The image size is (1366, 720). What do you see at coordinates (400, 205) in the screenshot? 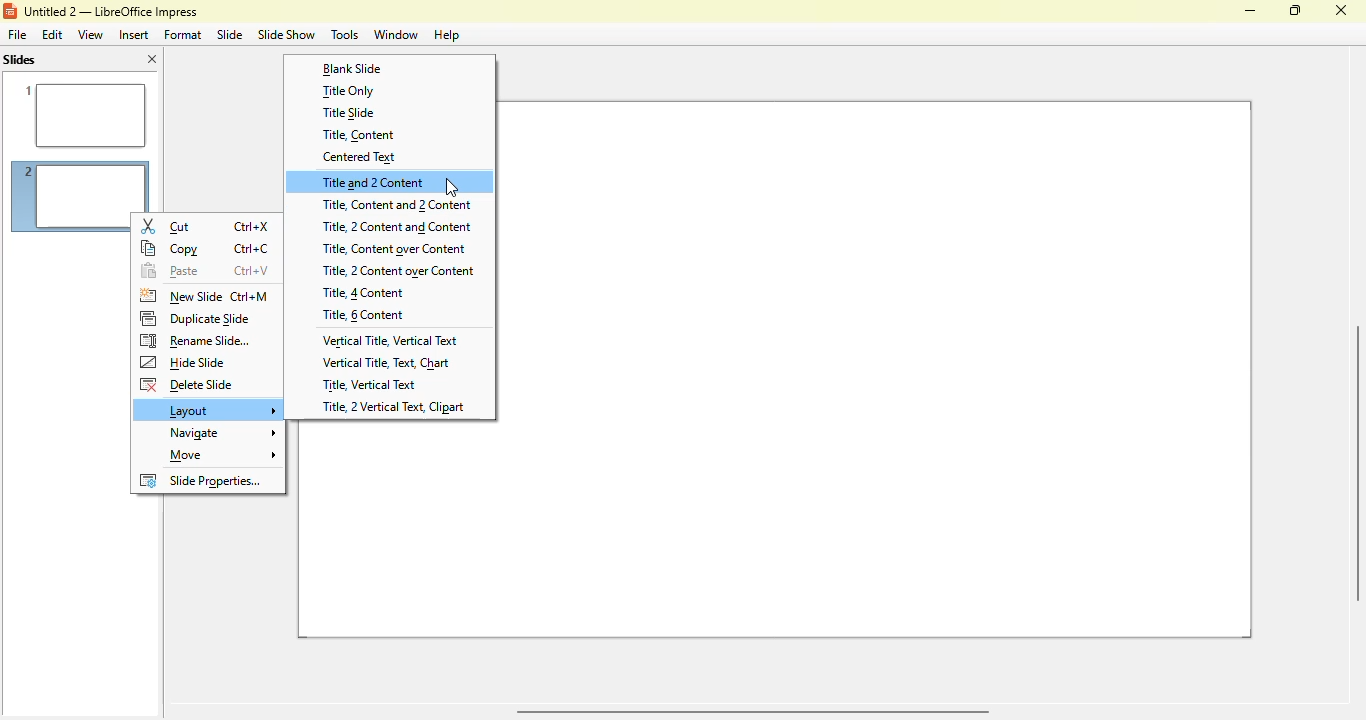
I see `title, content and 2 content` at bounding box center [400, 205].